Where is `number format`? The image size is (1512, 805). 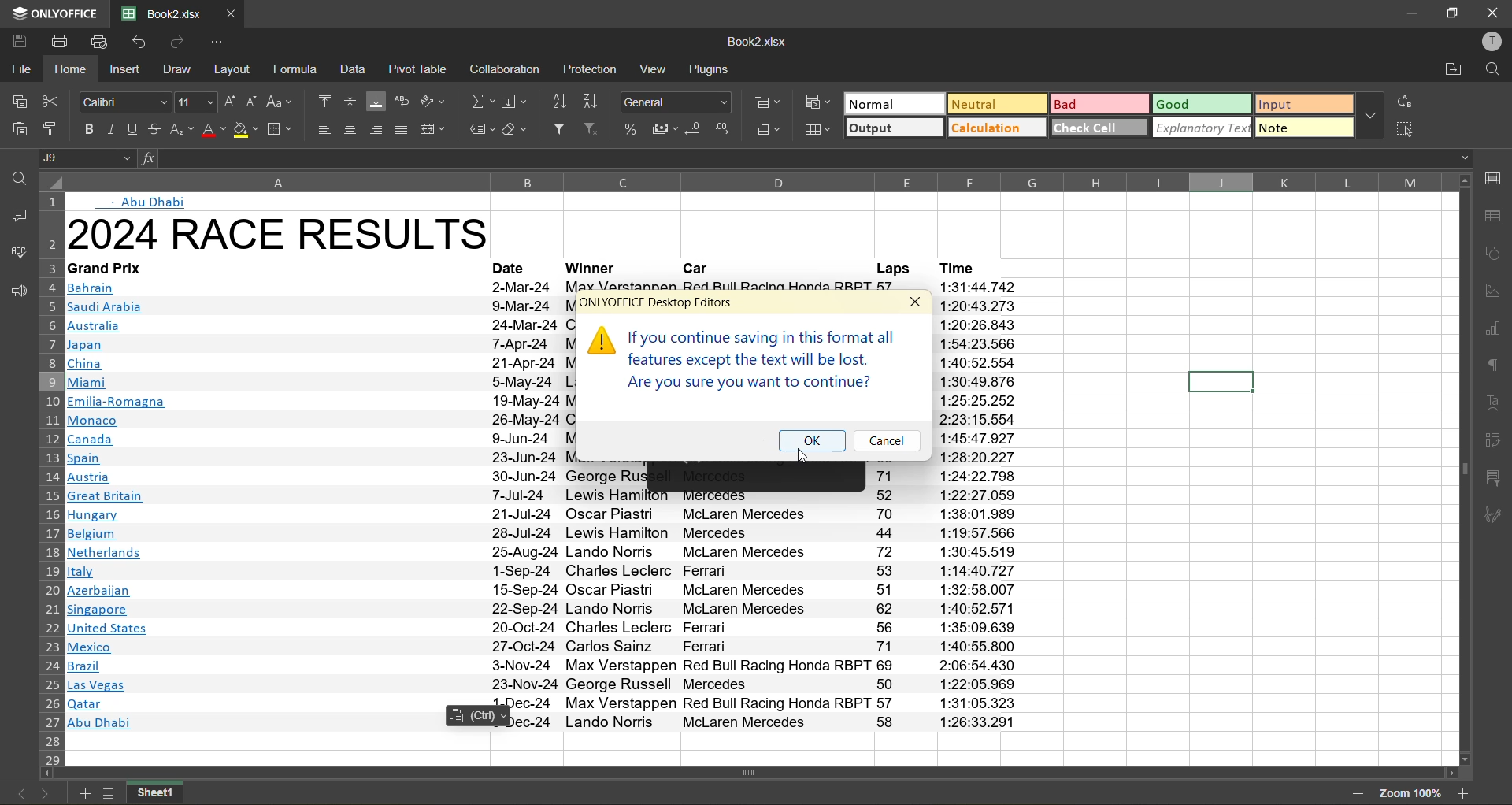 number format is located at coordinates (679, 101).